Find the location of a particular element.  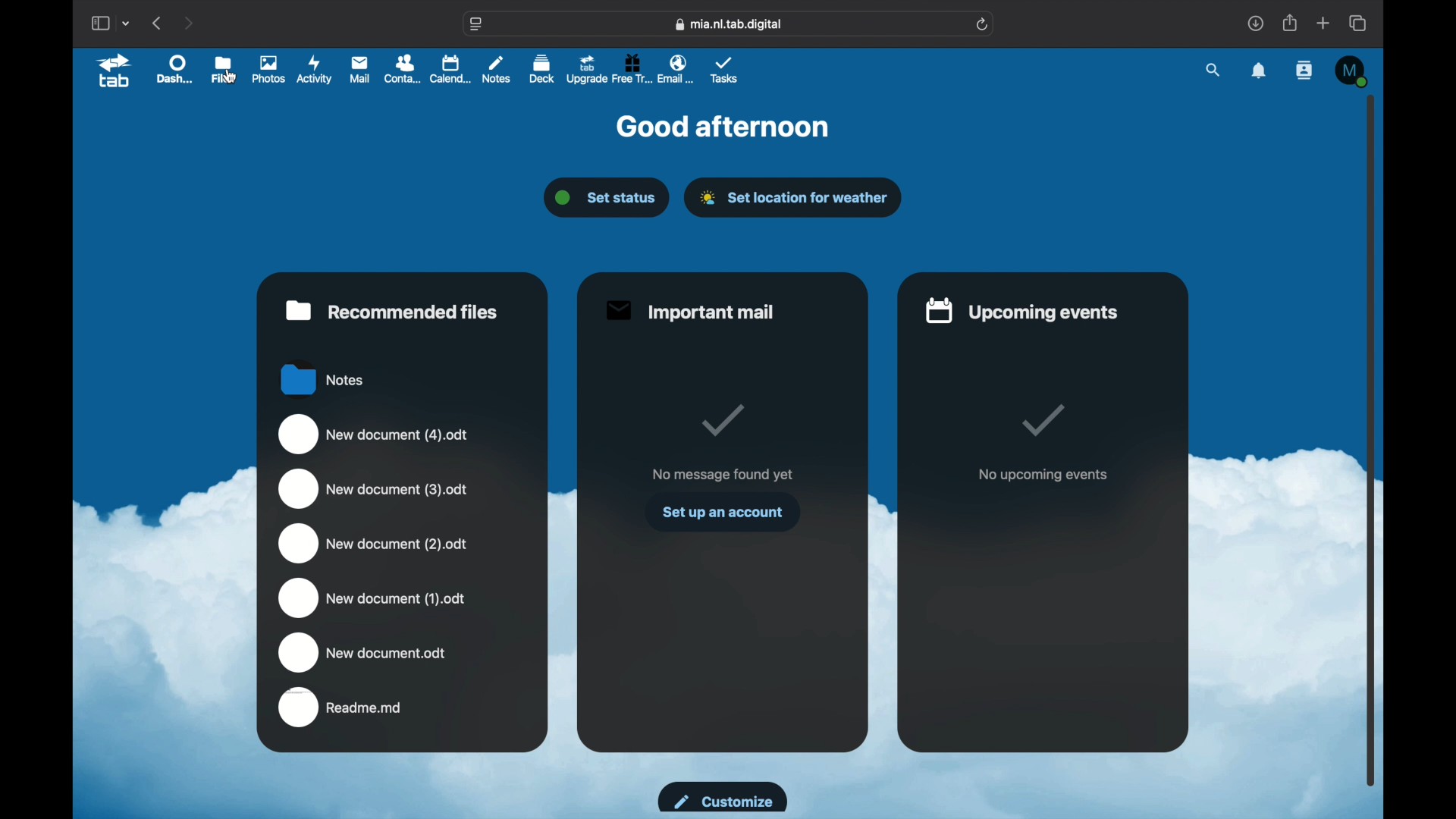

downloads is located at coordinates (1256, 23).